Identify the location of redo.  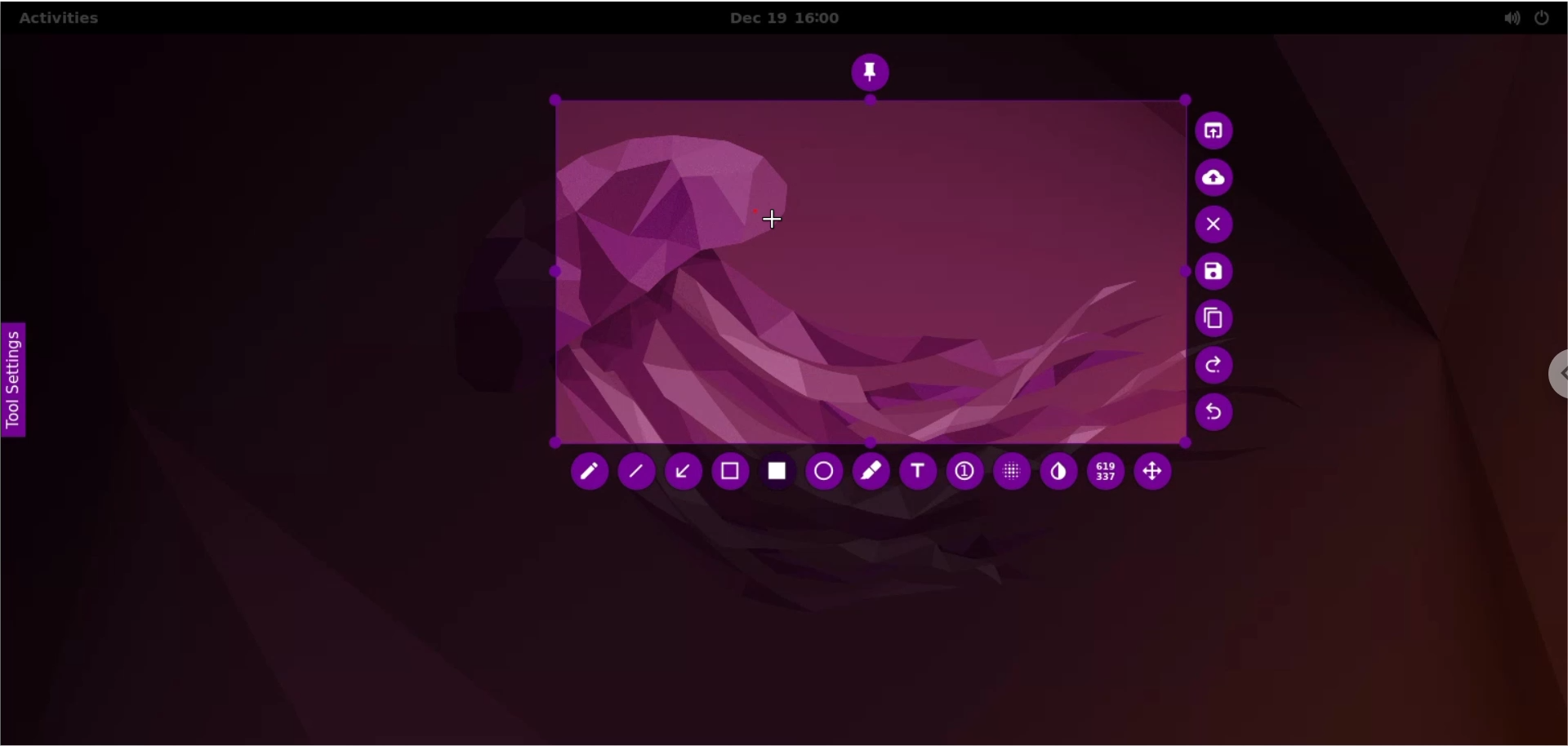
(1214, 366).